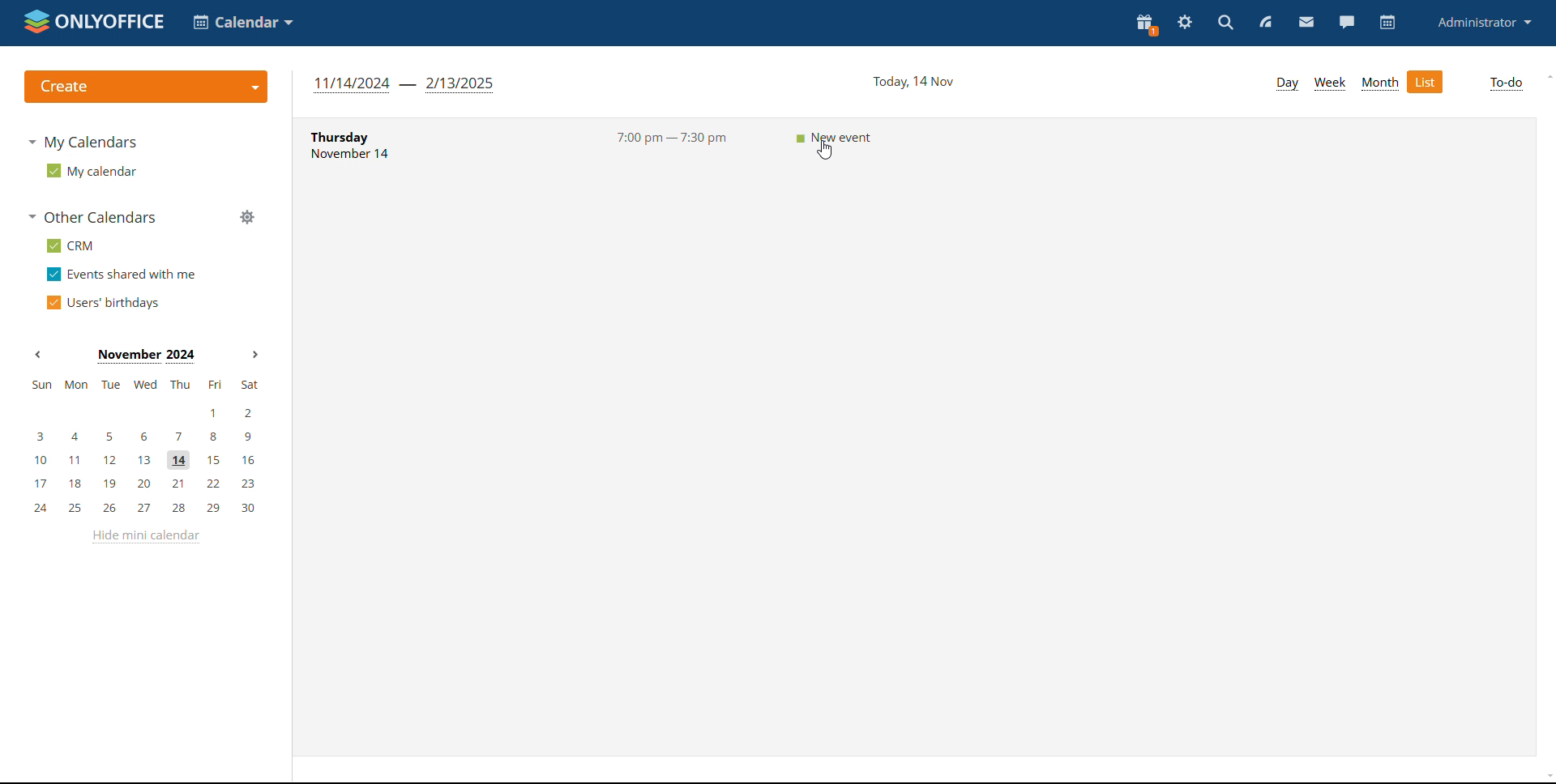 This screenshot has width=1556, height=784. What do you see at coordinates (917, 143) in the screenshot?
I see `today's event` at bounding box center [917, 143].